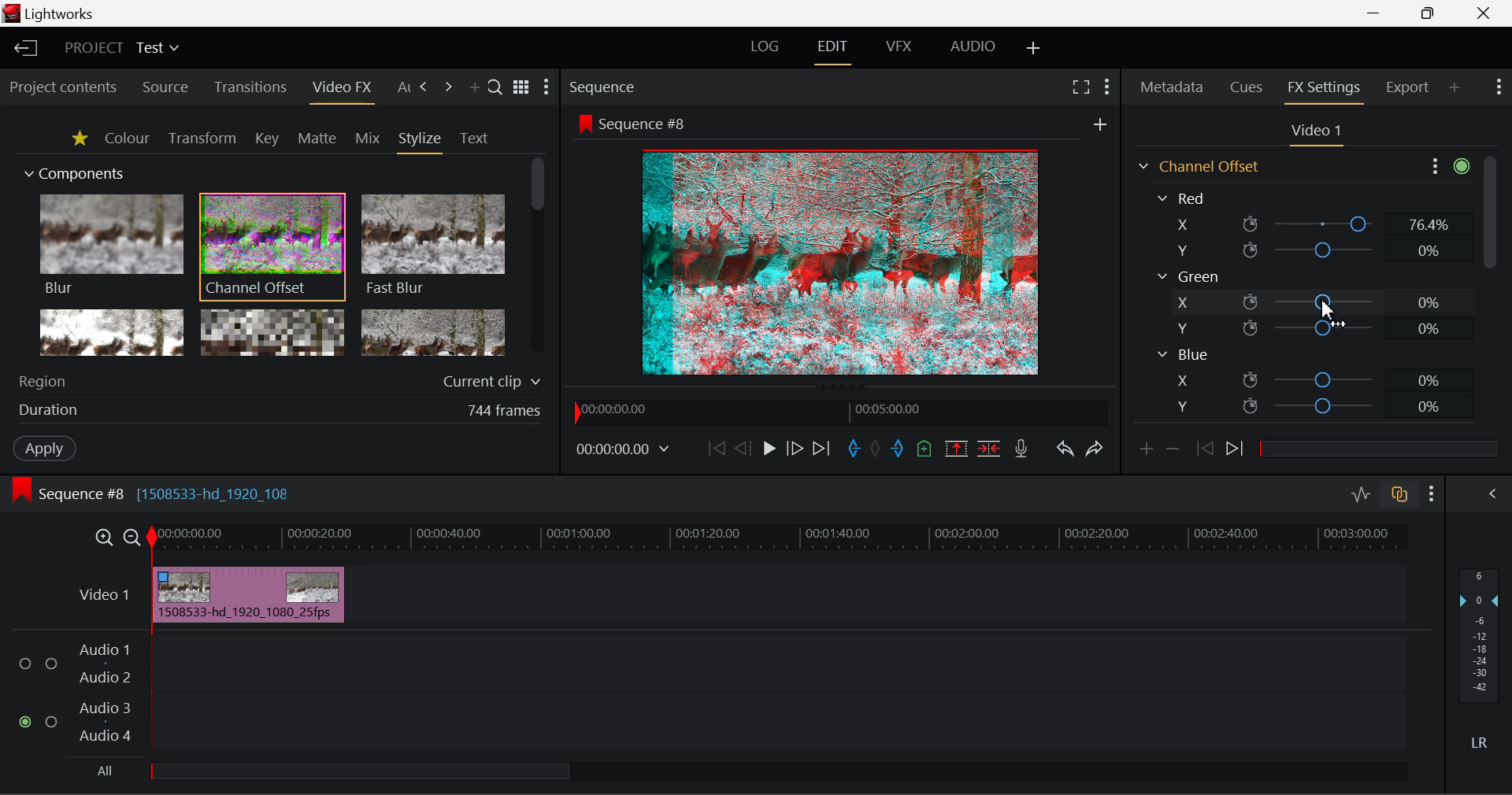 This screenshot has height=795, width=1512. Describe the element at coordinates (708, 694) in the screenshot. I see `Audio Input Field` at that location.